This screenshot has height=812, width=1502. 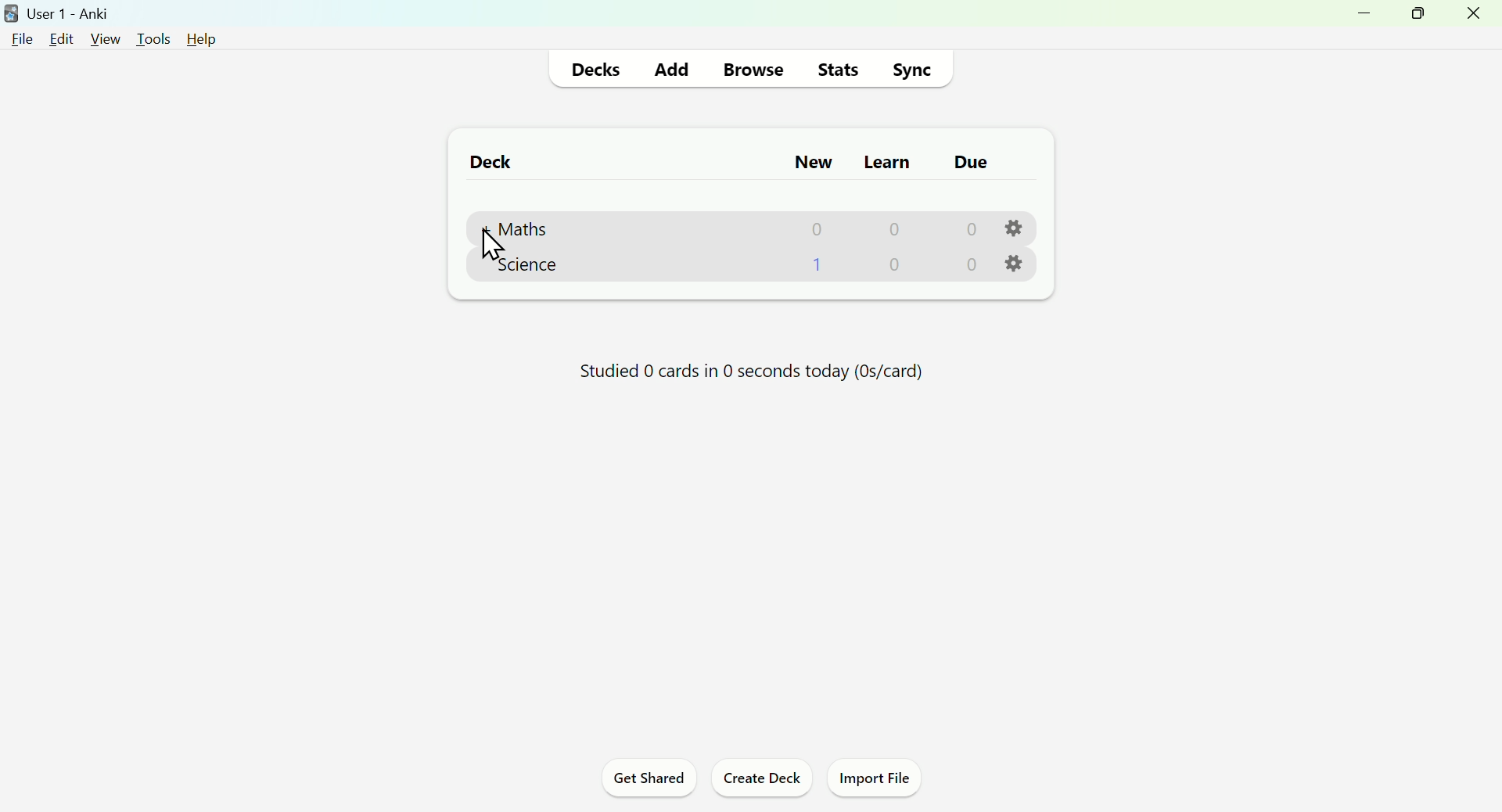 What do you see at coordinates (23, 38) in the screenshot?
I see `File` at bounding box center [23, 38].